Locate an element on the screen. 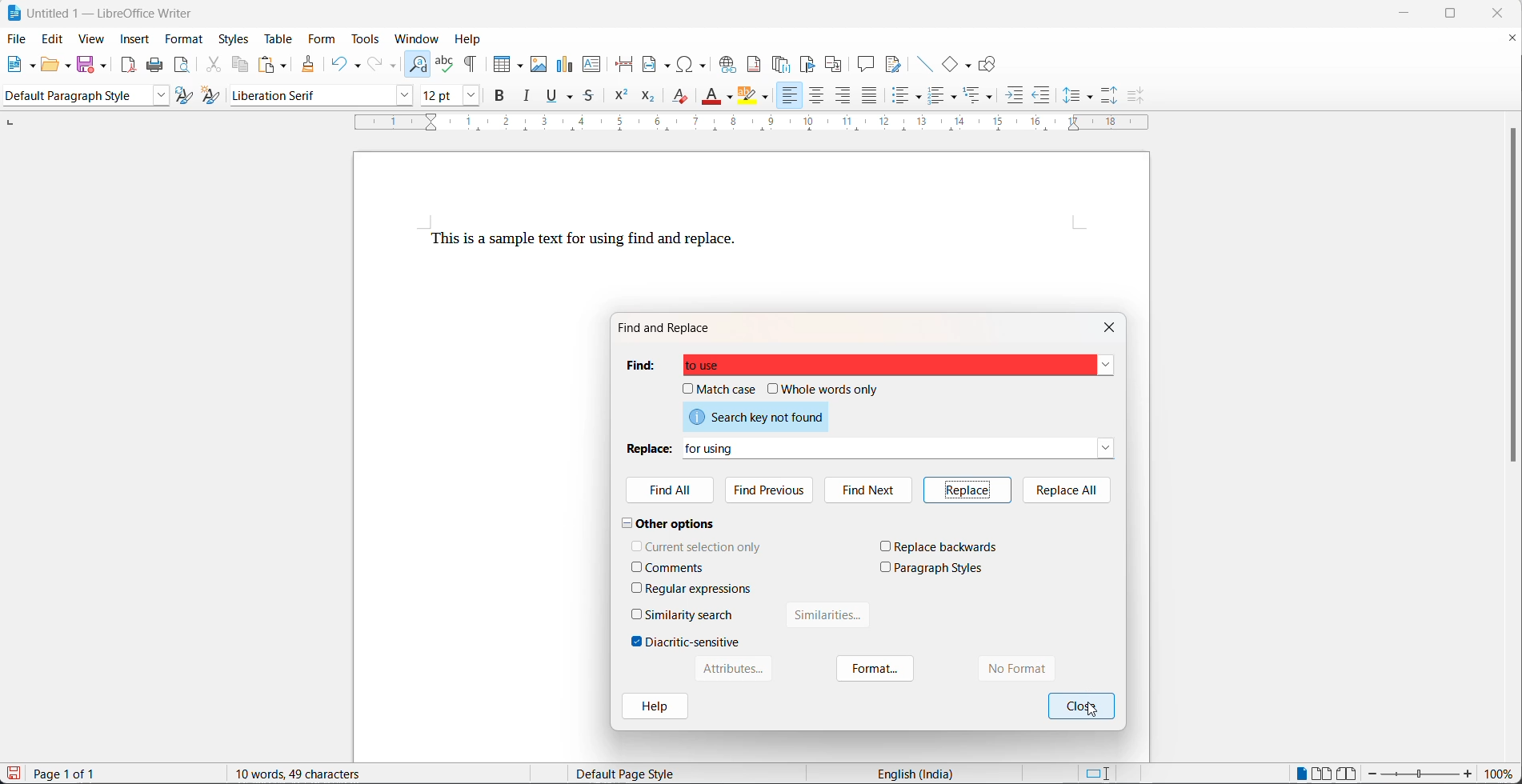  toggle unordered list options is located at coordinates (920, 98).